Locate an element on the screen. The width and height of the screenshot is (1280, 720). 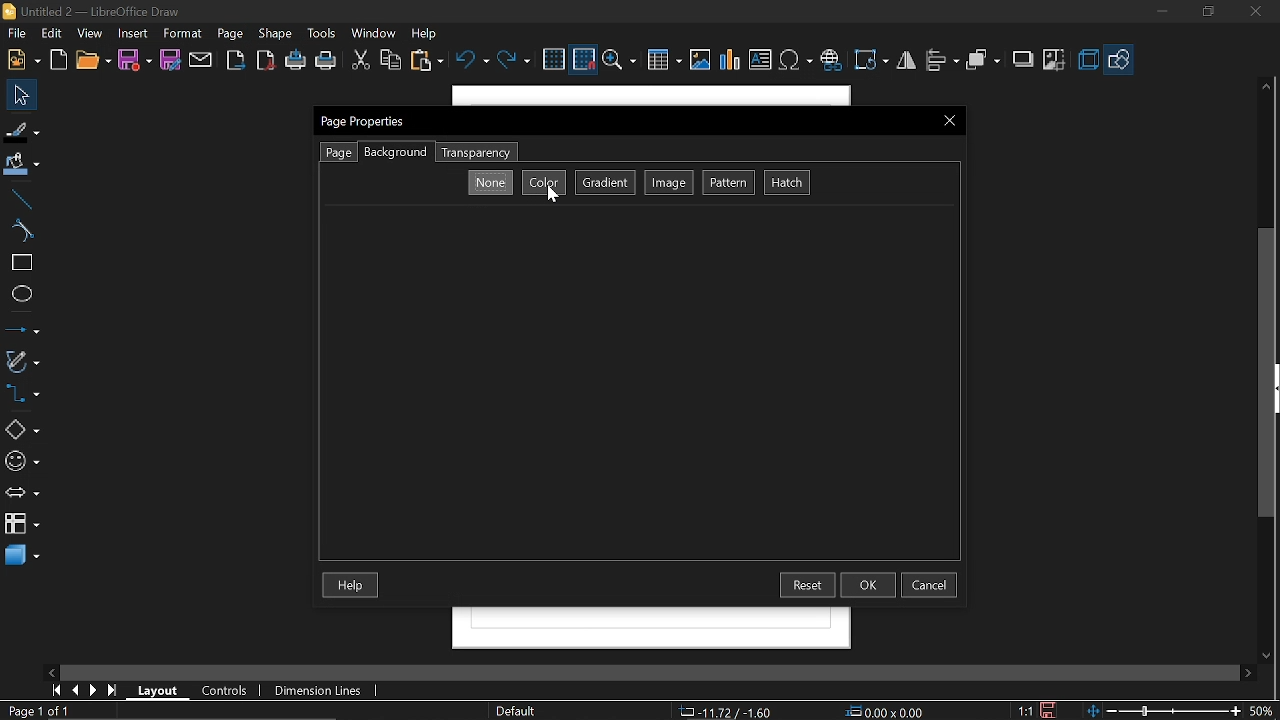
Move left is located at coordinates (49, 671).